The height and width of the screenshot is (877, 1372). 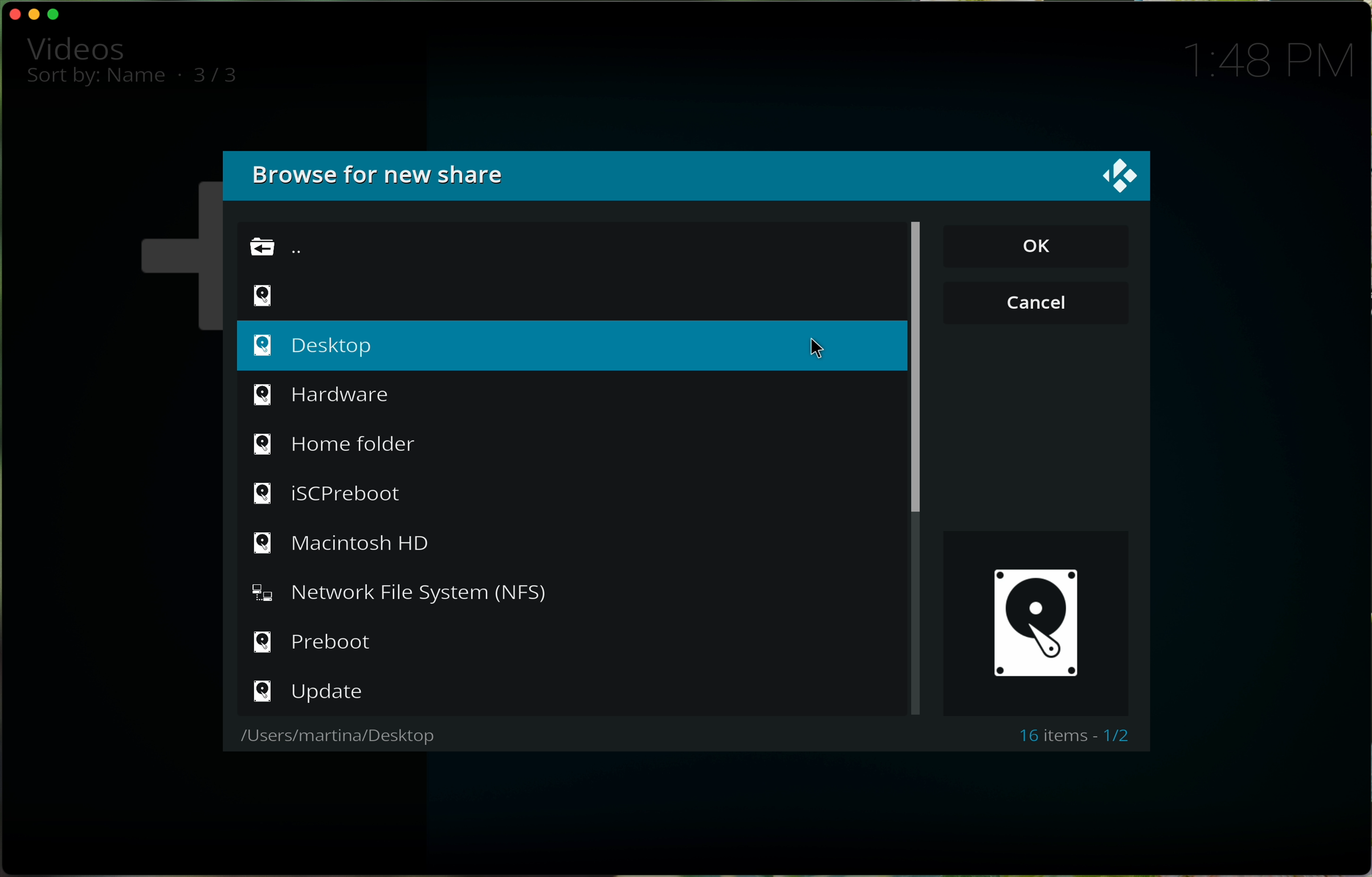 What do you see at coordinates (337, 445) in the screenshot?
I see `home folder` at bounding box center [337, 445].